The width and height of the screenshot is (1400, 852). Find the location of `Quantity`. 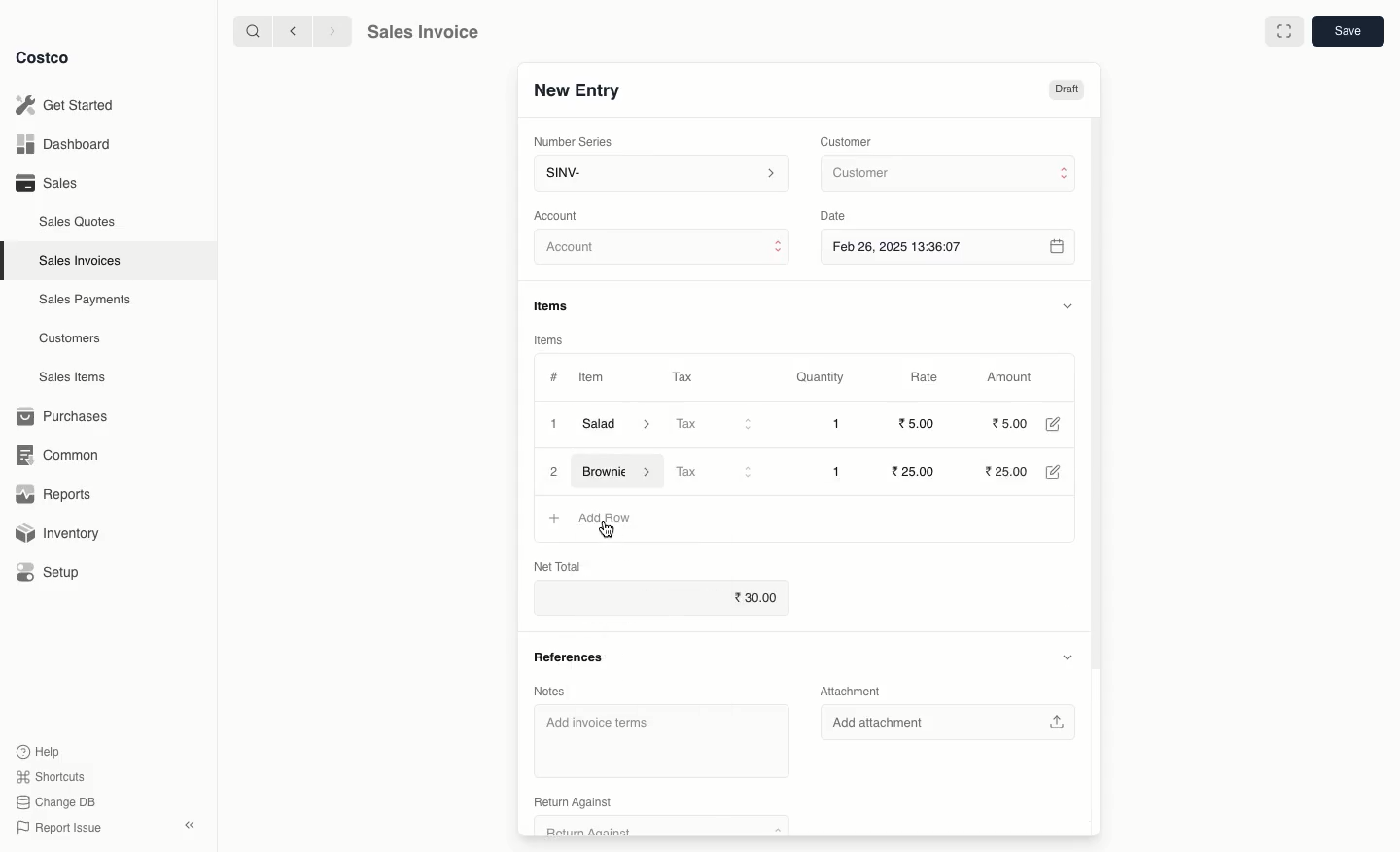

Quantity is located at coordinates (819, 378).